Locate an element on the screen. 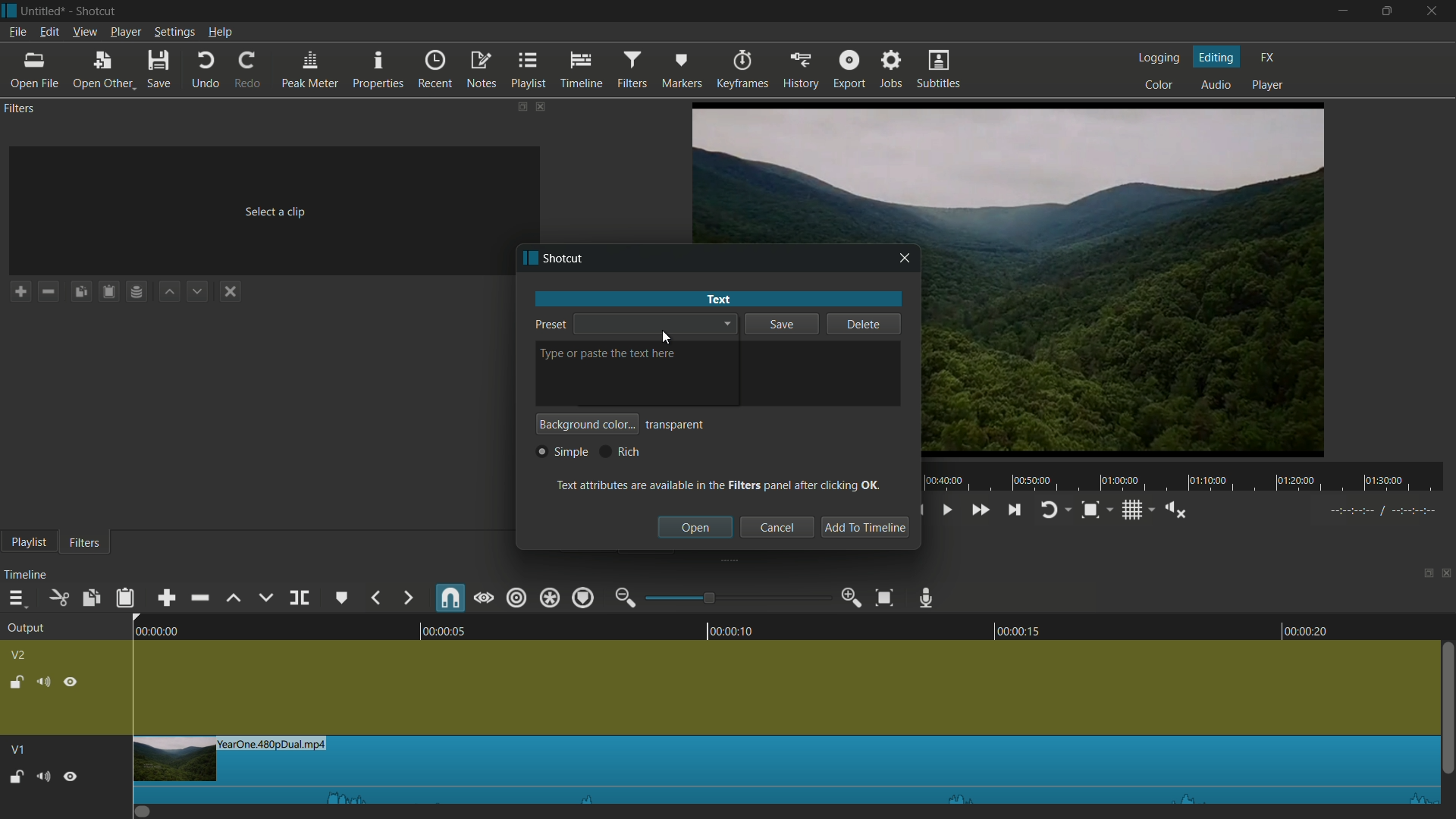 The image size is (1456, 819). toggle player looping is located at coordinates (1048, 510).